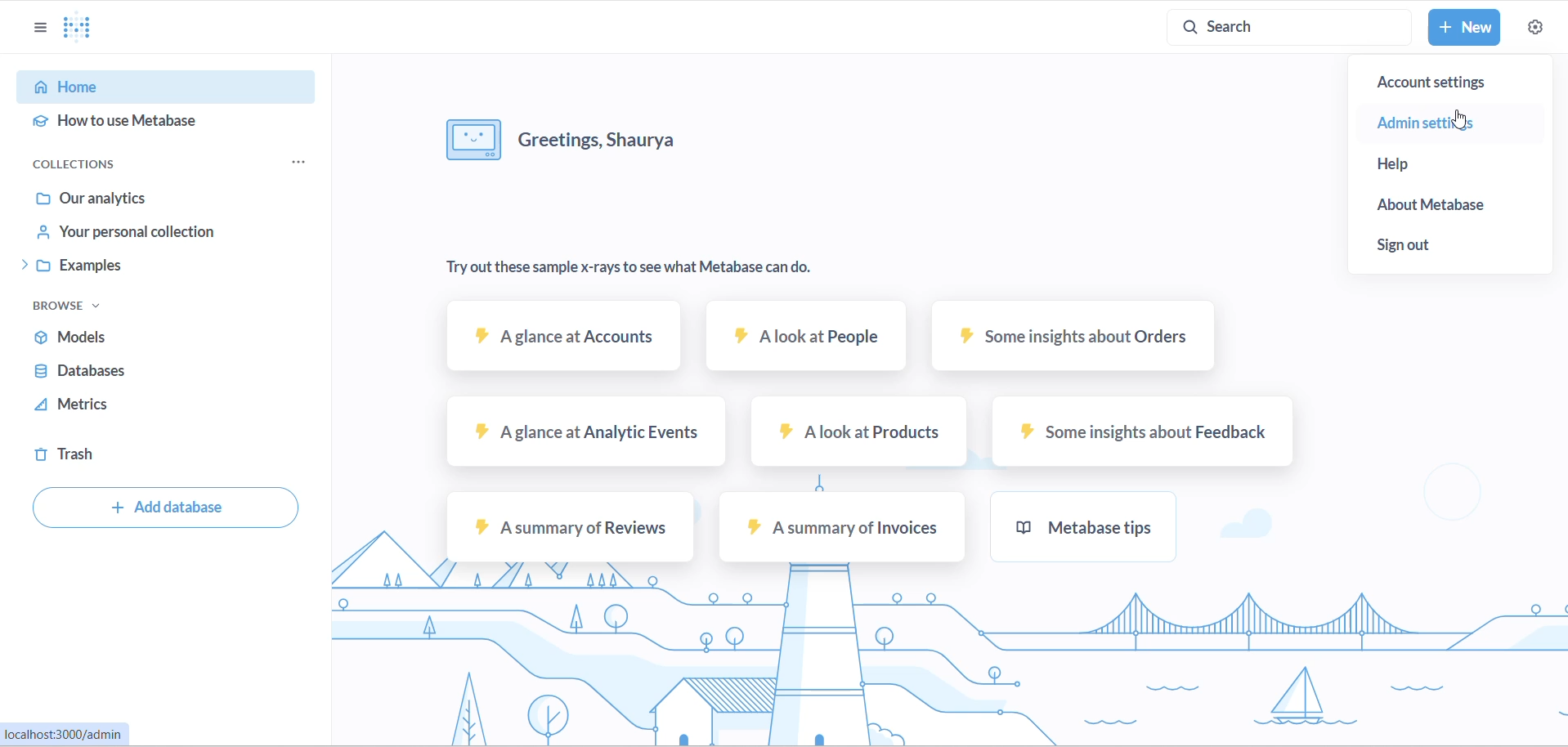  What do you see at coordinates (145, 123) in the screenshot?
I see `how to use Metabase` at bounding box center [145, 123].